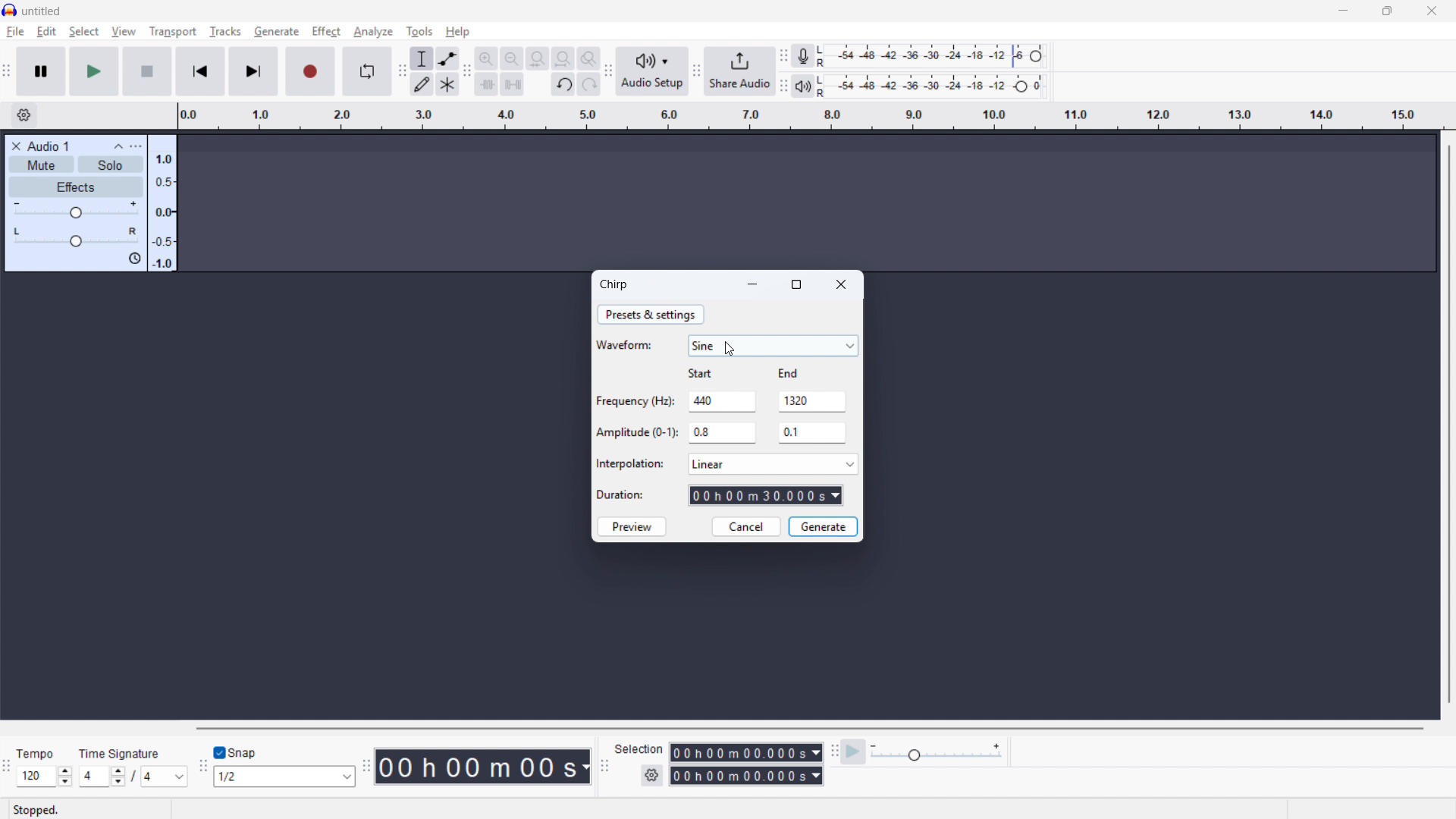 This screenshot has width=1456, height=819. I want to click on cancel , so click(748, 526).